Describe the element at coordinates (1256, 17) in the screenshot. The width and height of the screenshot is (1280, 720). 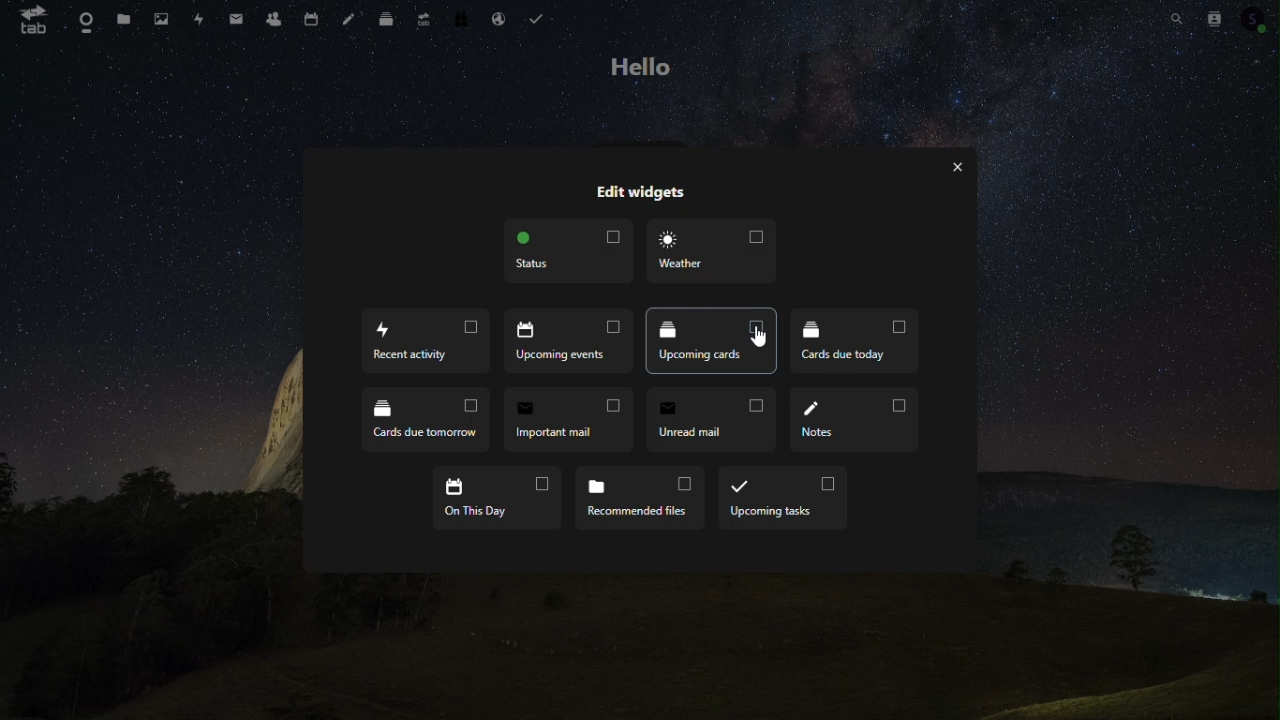
I see `Account icon` at that location.